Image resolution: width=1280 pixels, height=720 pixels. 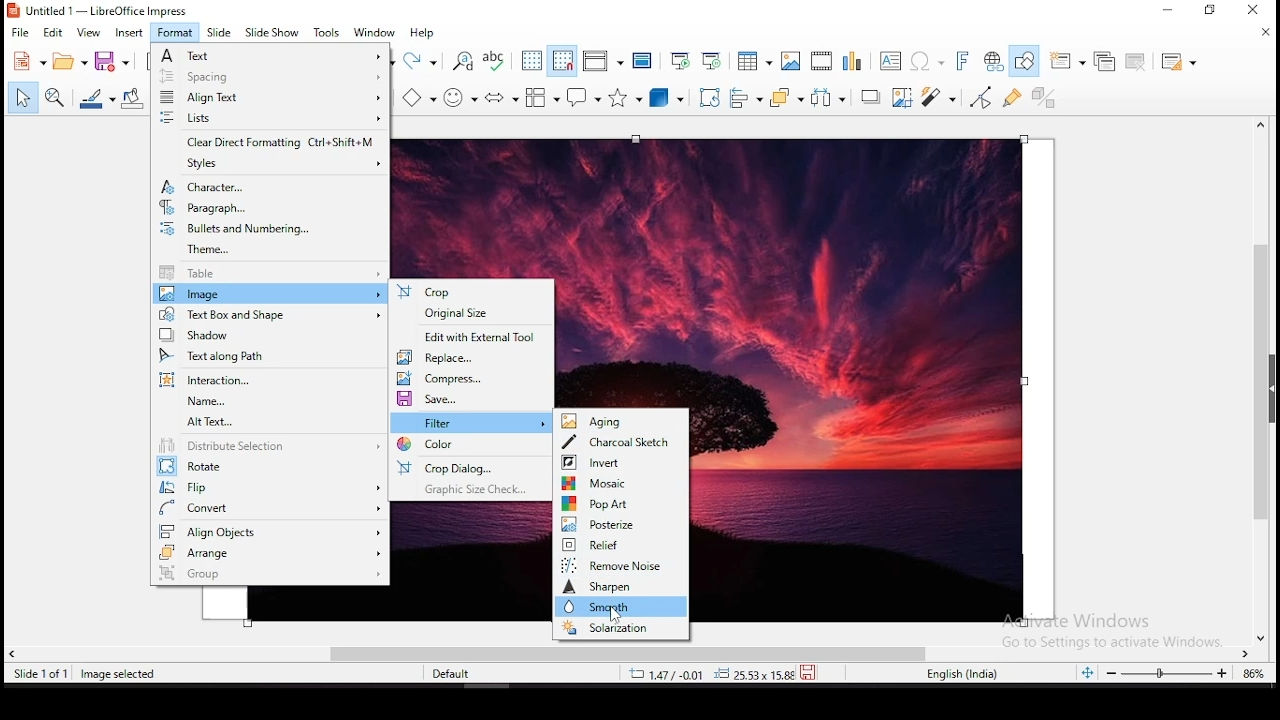 I want to click on insert hyperlink, so click(x=996, y=61).